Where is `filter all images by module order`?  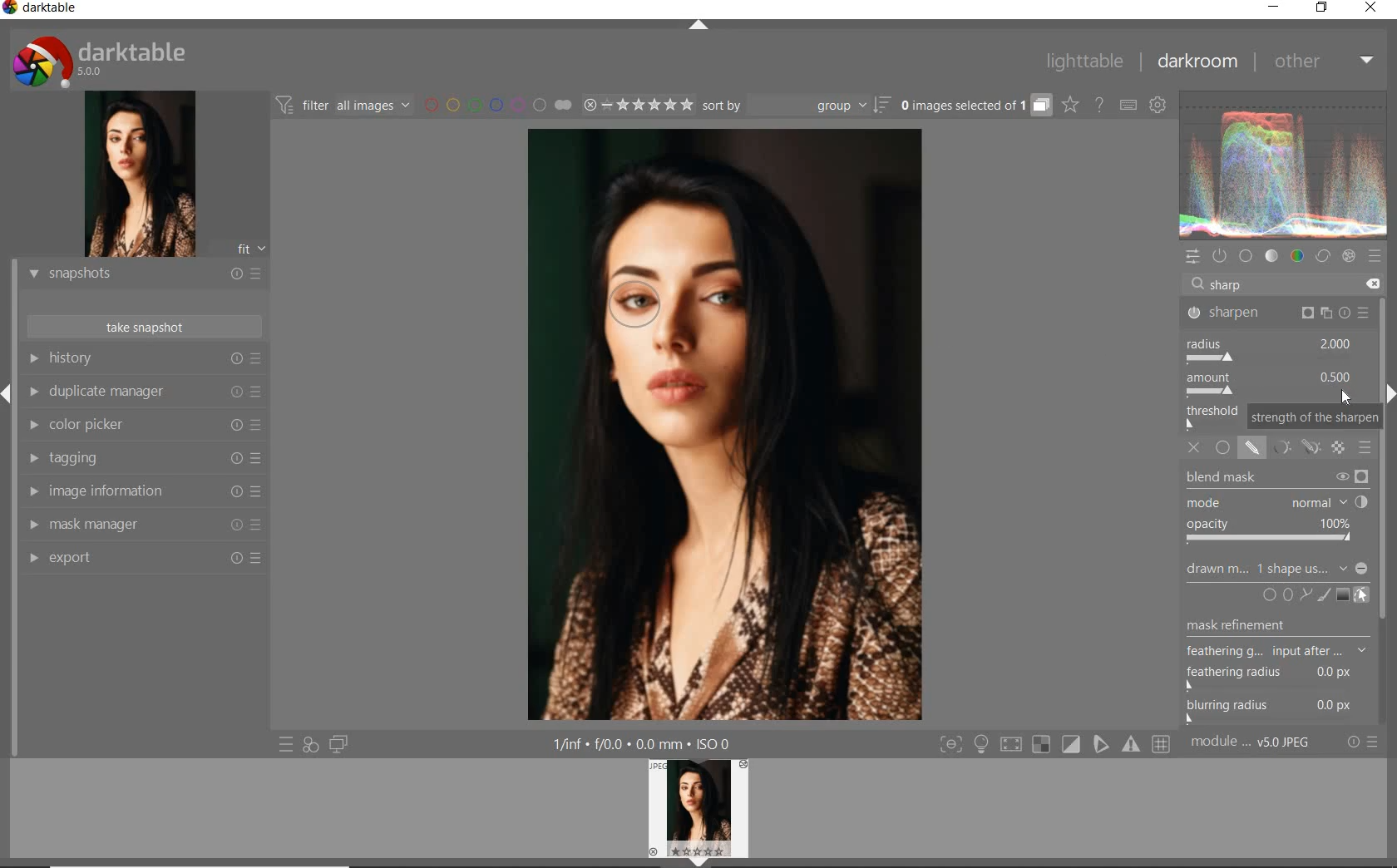
filter all images by module order is located at coordinates (344, 107).